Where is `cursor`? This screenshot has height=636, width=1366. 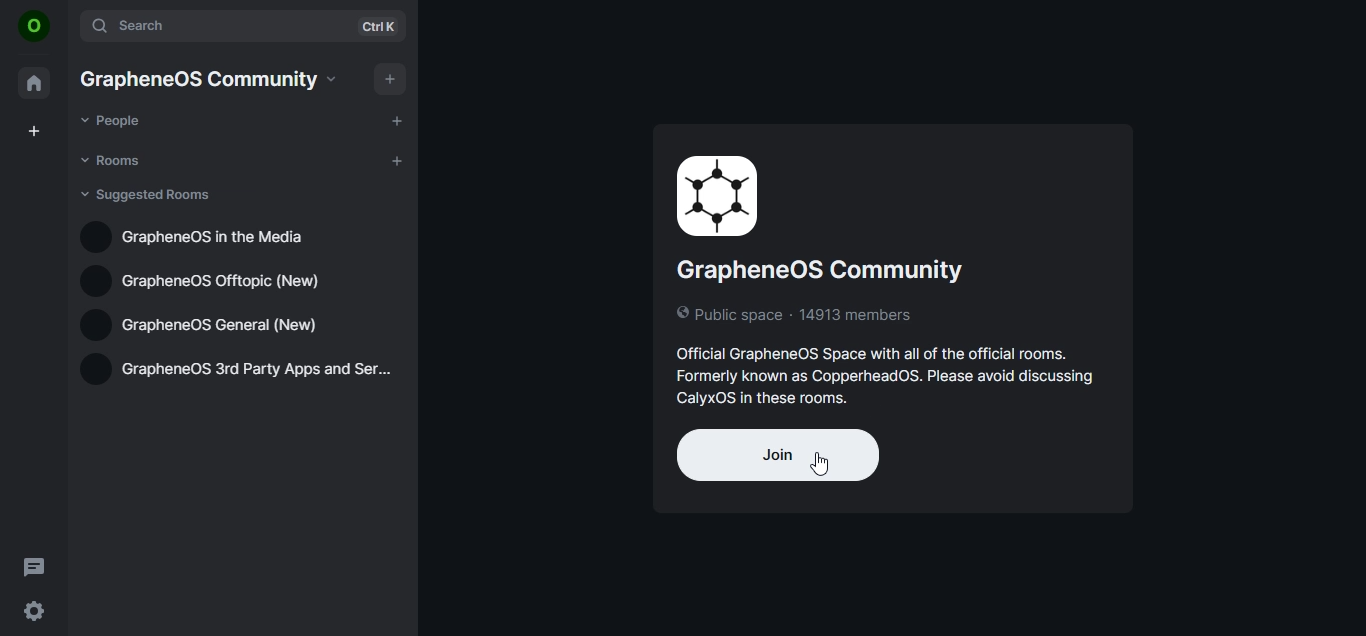
cursor is located at coordinates (829, 462).